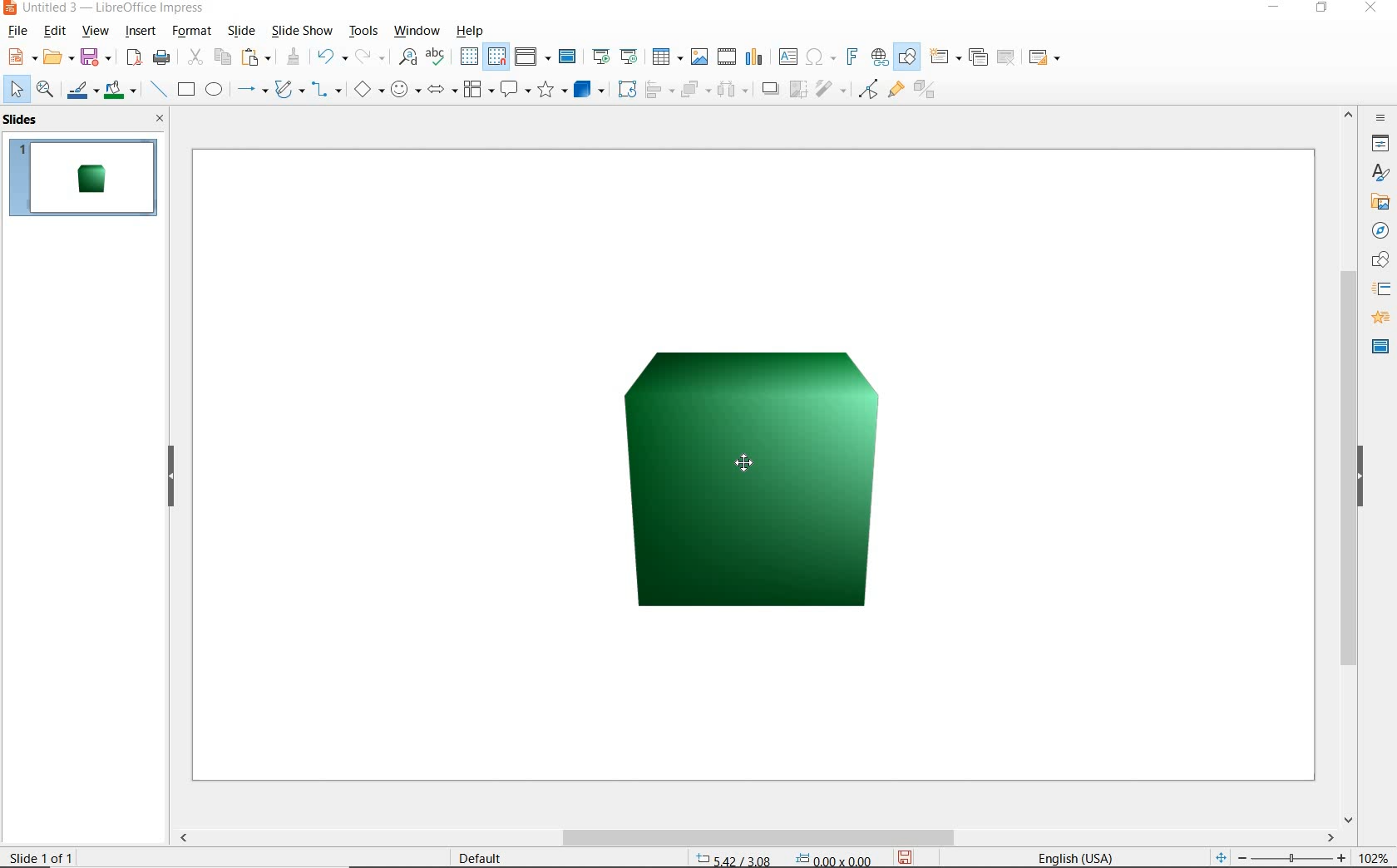 Image resolution: width=1397 pixels, height=868 pixels. What do you see at coordinates (442, 89) in the screenshot?
I see `block arrows` at bounding box center [442, 89].